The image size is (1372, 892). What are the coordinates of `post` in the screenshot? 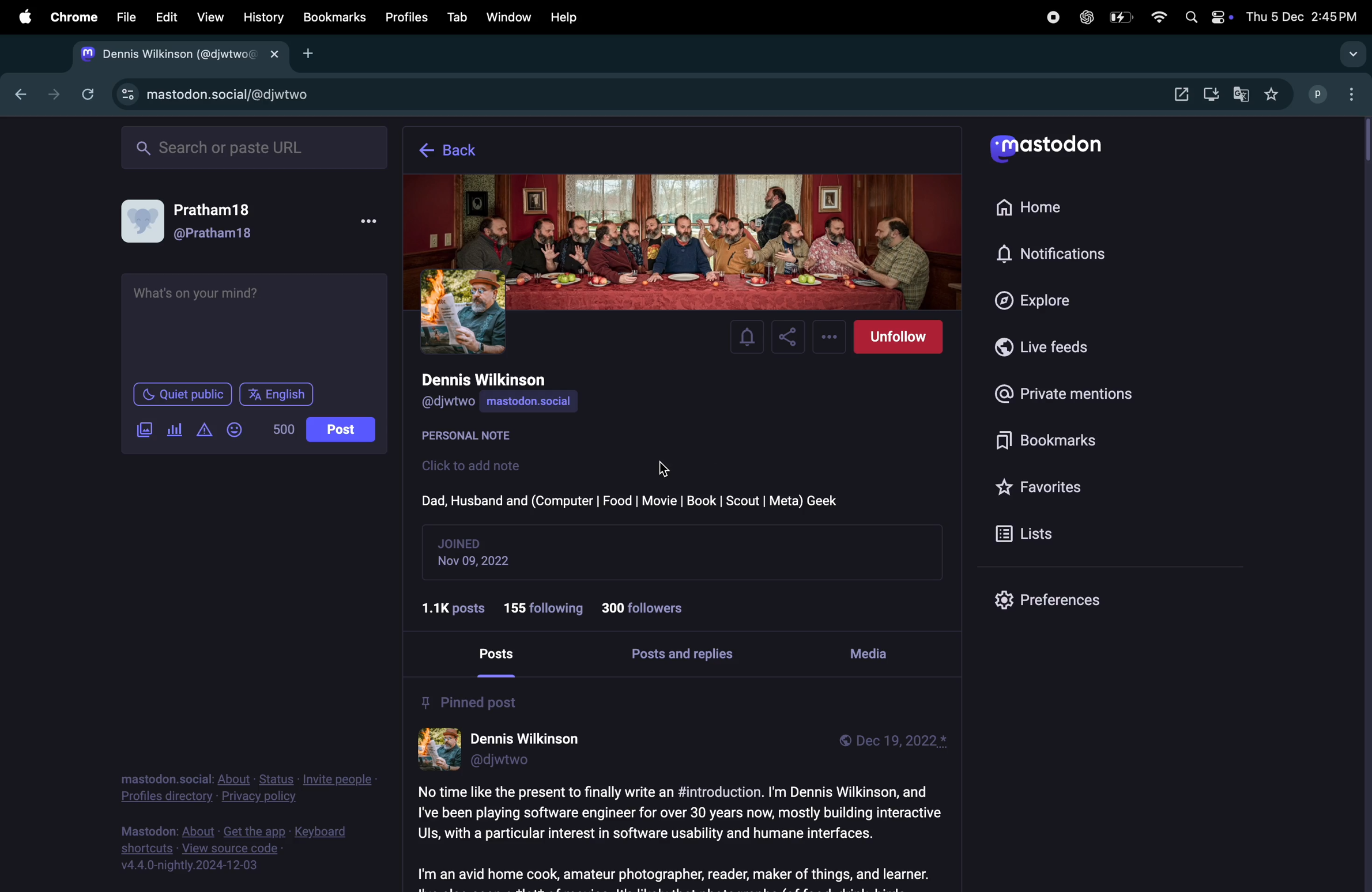 It's located at (340, 429).